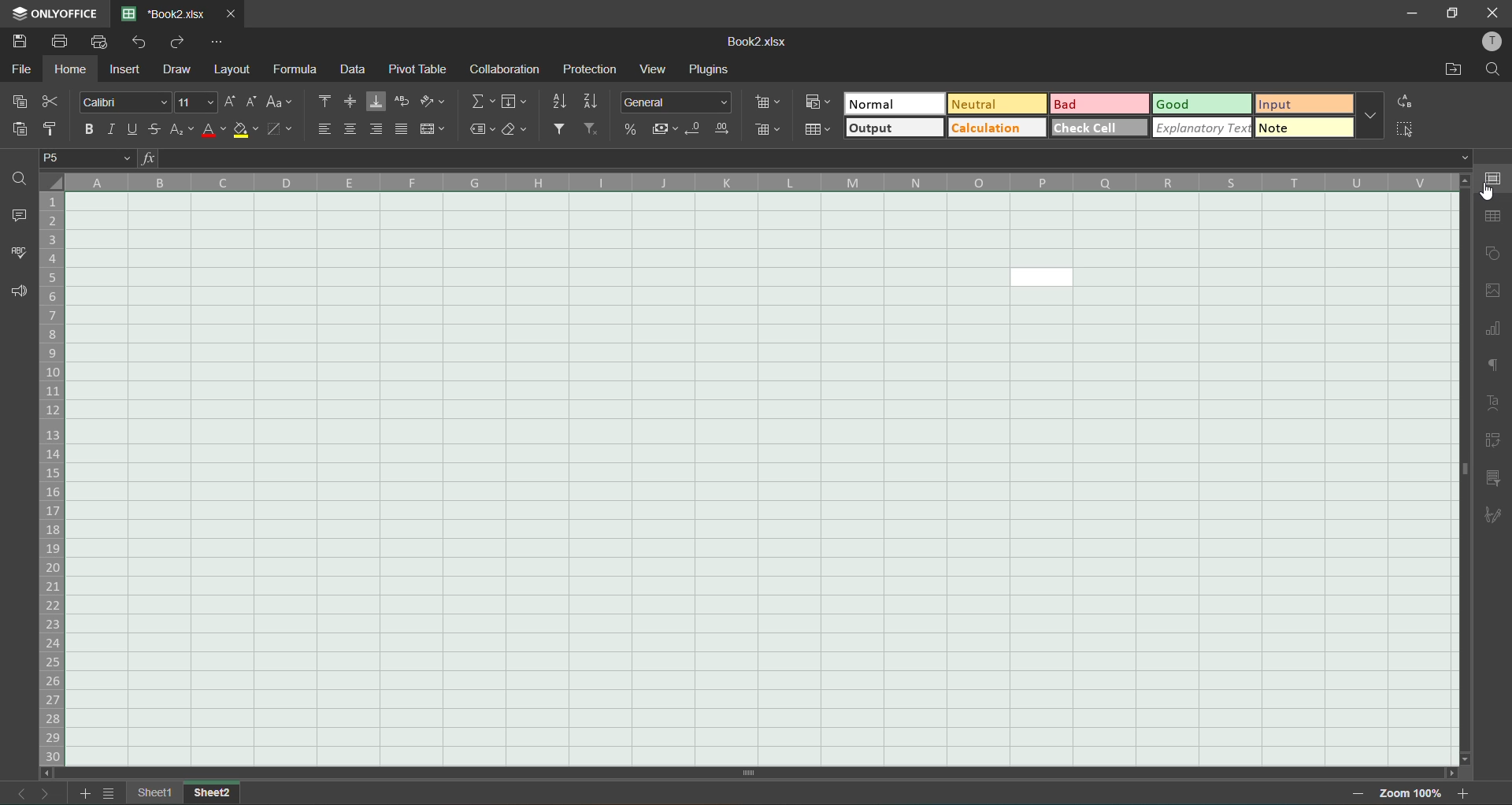  I want to click on profile, so click(1489, 42).